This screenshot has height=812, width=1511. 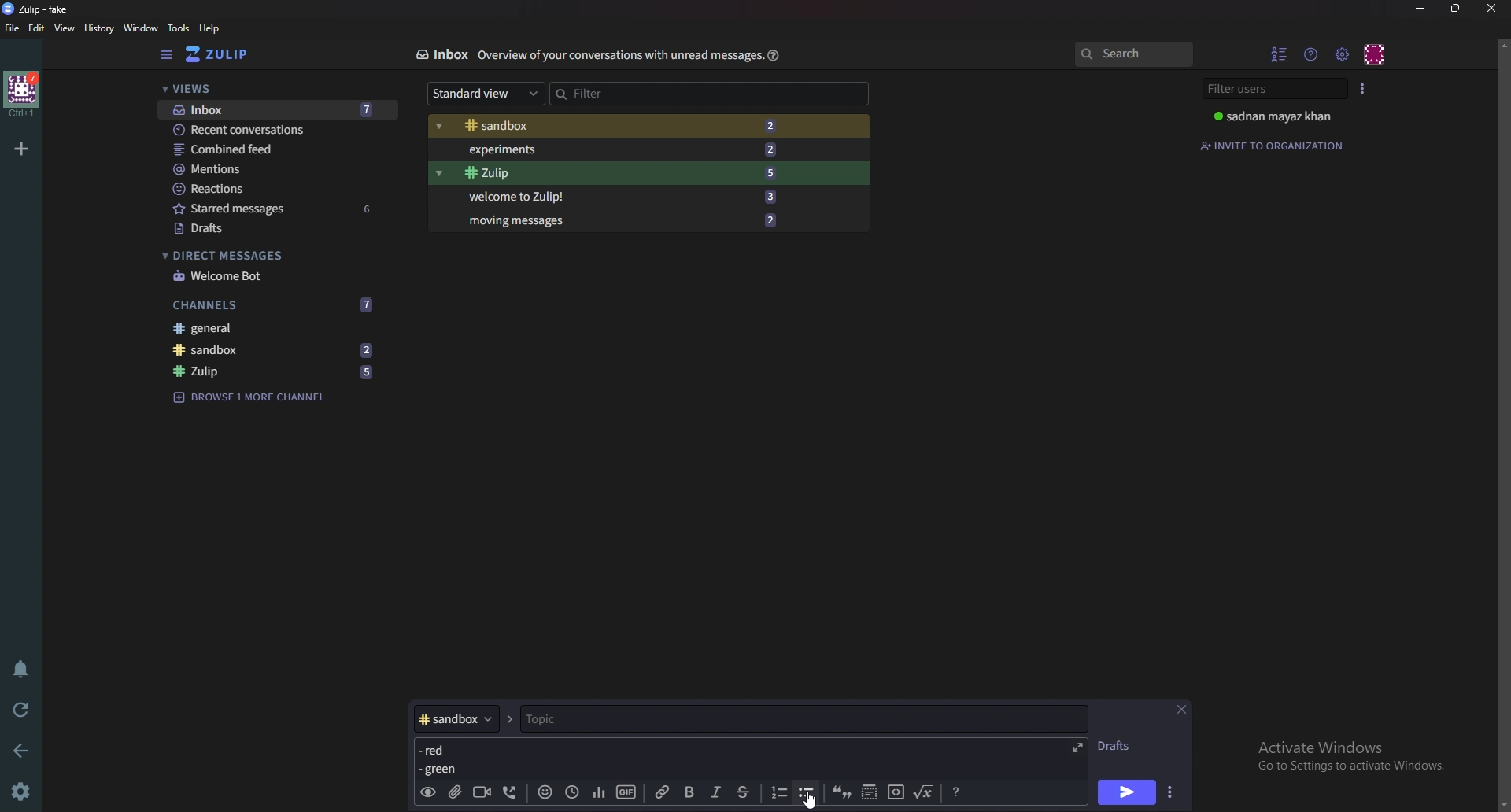 What do you see at coordinates (692, 793) in the screenshot?
I see `bold` at bounding box center [692, 793].